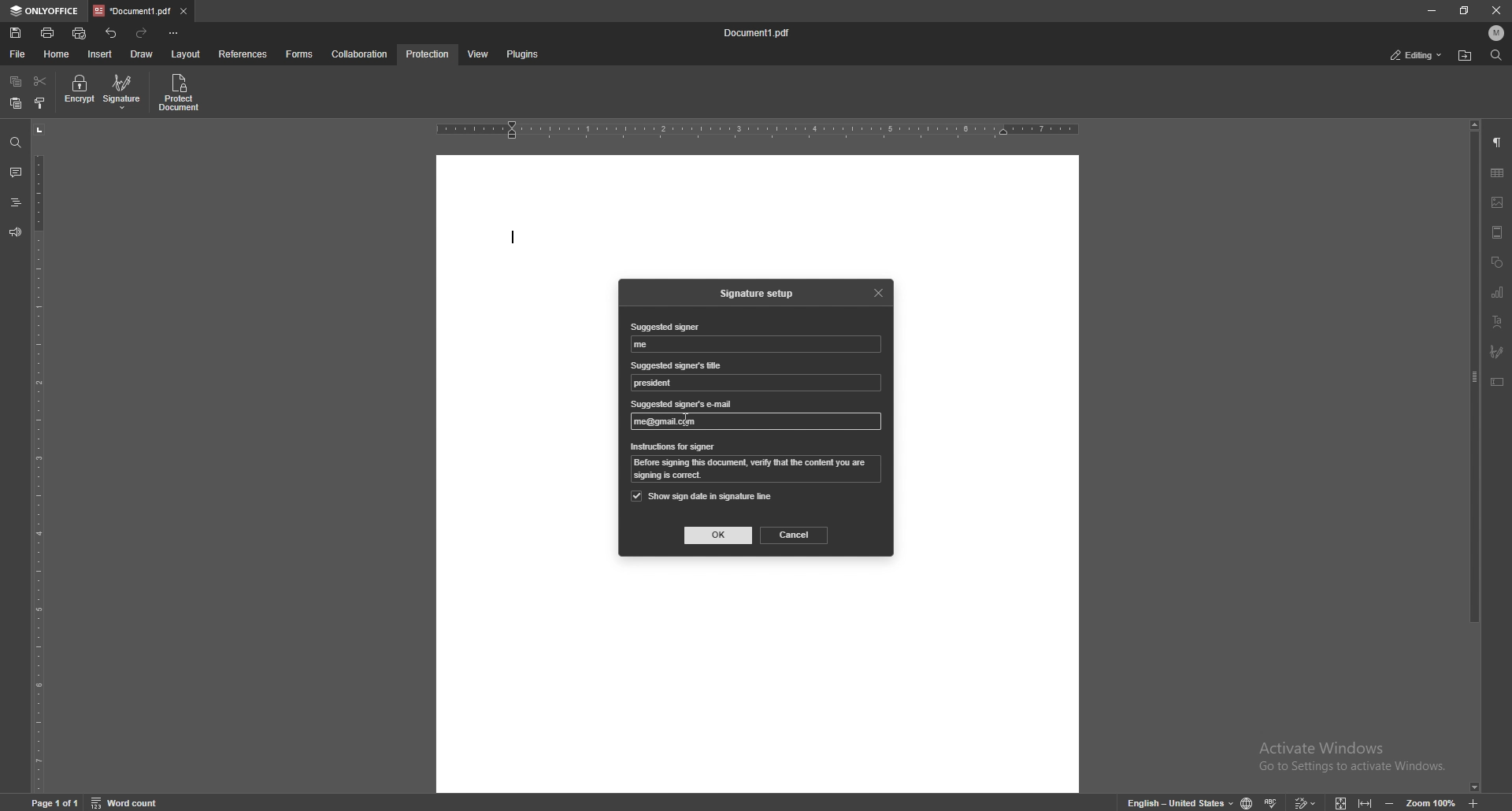  Describe the element at coordinates (683, 405) in the screenshot. I see `suggested signer's email` at that location.